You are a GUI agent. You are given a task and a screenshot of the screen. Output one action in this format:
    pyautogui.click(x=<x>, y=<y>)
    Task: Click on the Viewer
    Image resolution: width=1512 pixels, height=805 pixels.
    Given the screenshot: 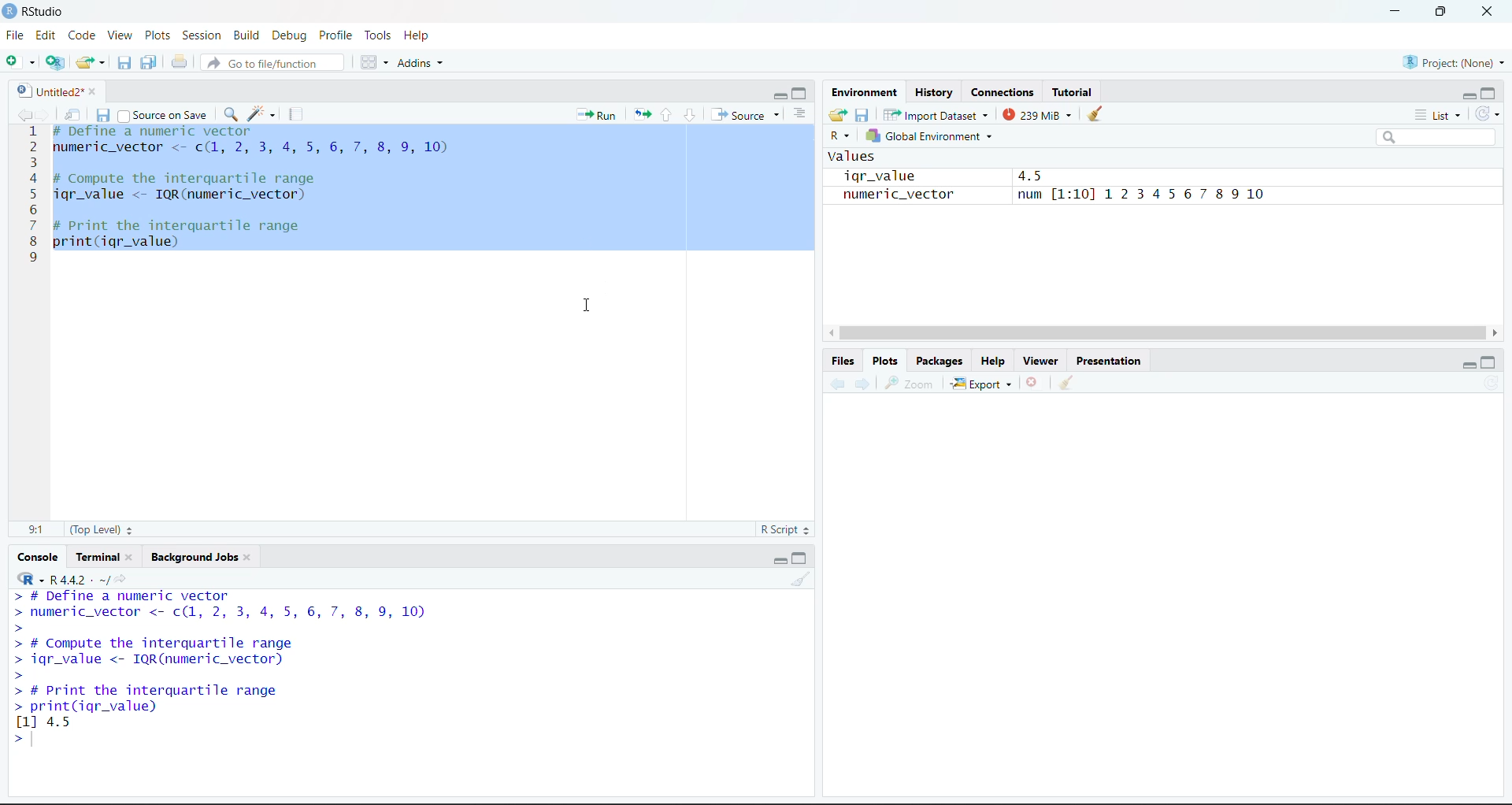 What is the action you would take?
    pyautogui.click(x=1040, y=359)
    